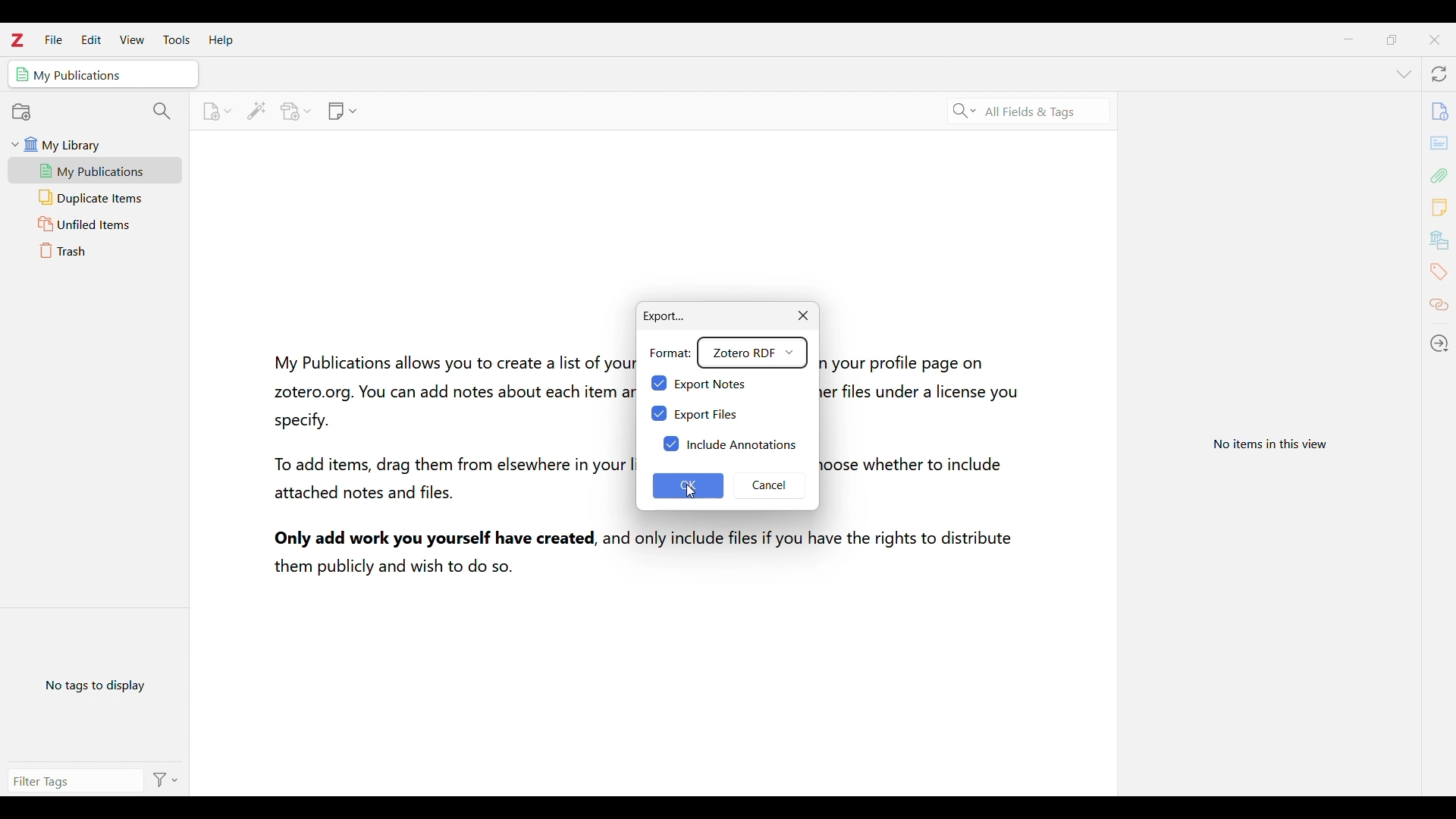  Describe the element at coordinates (256, 111) in the screenshot. I see `Add item/s by Identifier` at that location.